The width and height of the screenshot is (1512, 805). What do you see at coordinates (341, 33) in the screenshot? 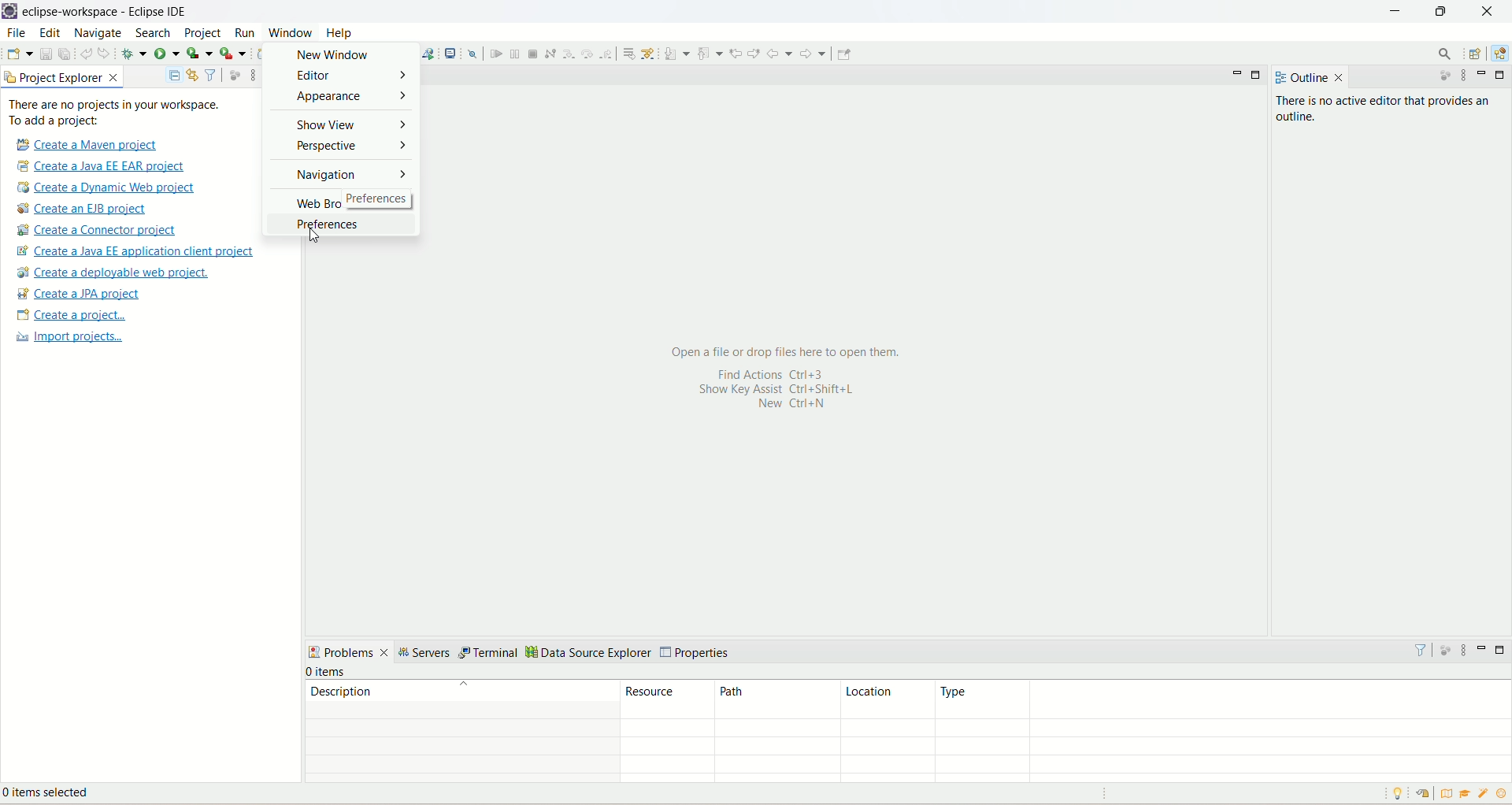
I see `help` at bounding box center [341, 33].